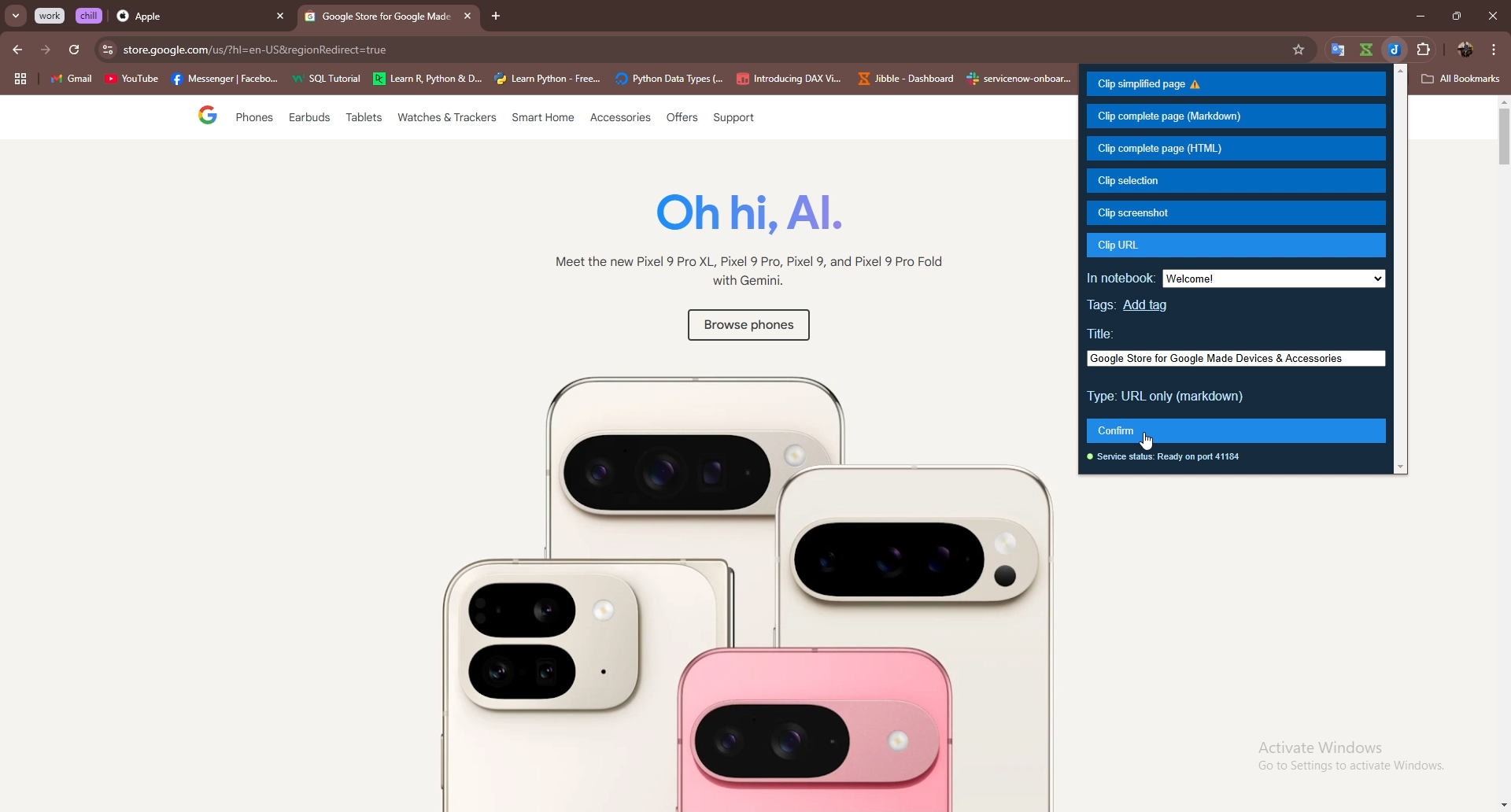  Describe the element at coordinates (428, 79) in the screenshot. I see `Learn R &Pytho` at that location.